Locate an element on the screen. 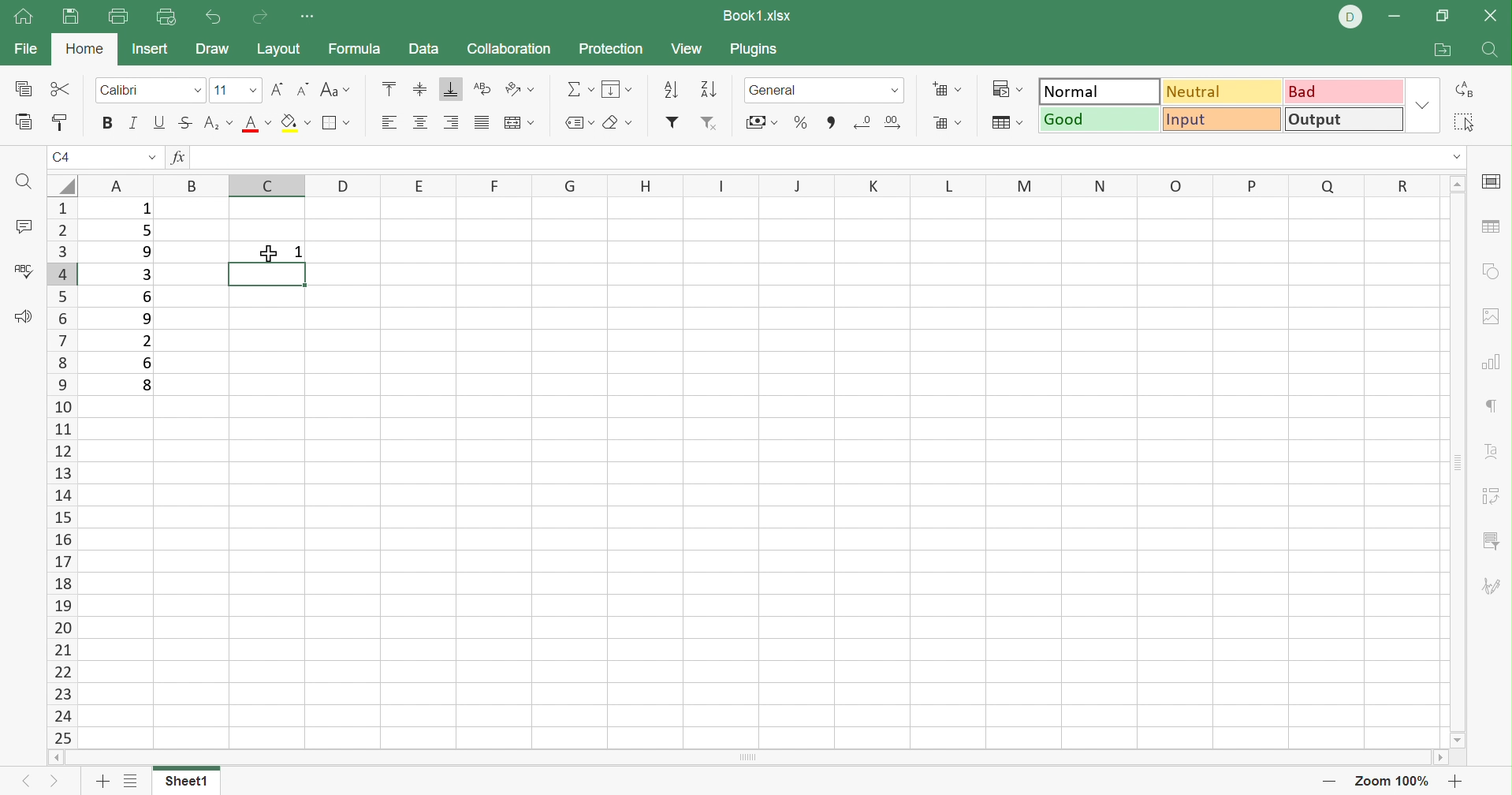  File is located at coordinates (26, 48).